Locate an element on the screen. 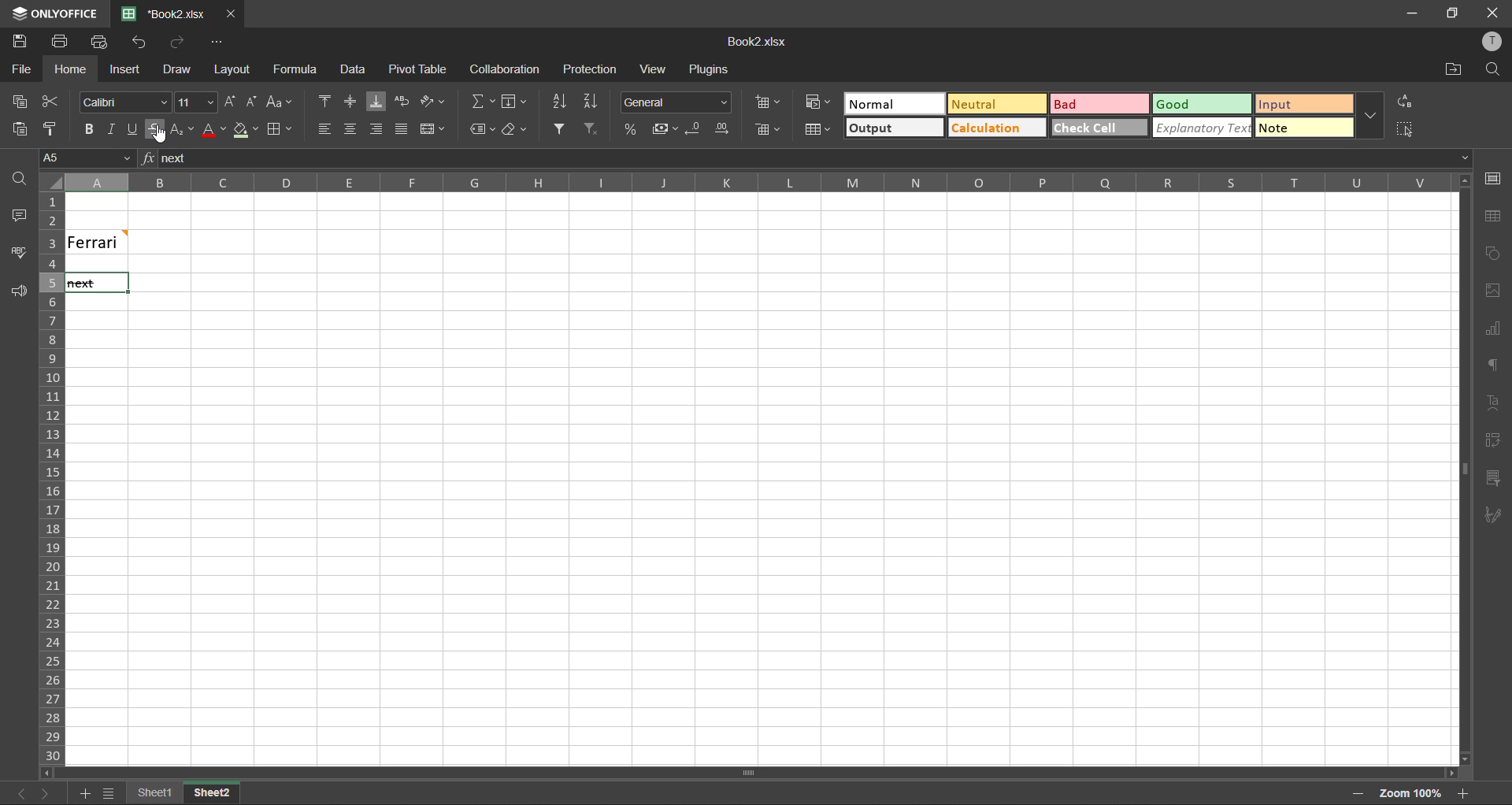 This screenshot has width=1512, height=805. close tab is located at coordinates (235, 15).